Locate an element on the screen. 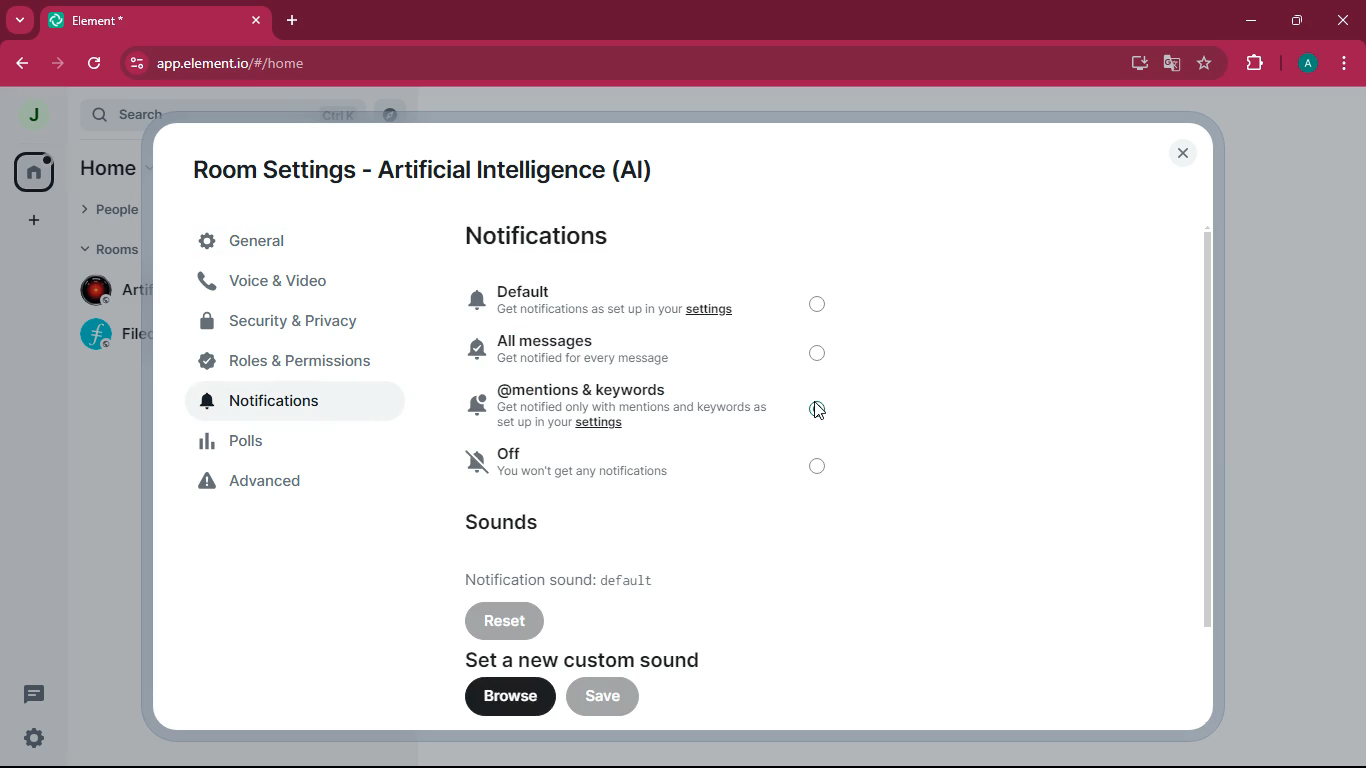  minimize is located at coordinates (1253, 20).